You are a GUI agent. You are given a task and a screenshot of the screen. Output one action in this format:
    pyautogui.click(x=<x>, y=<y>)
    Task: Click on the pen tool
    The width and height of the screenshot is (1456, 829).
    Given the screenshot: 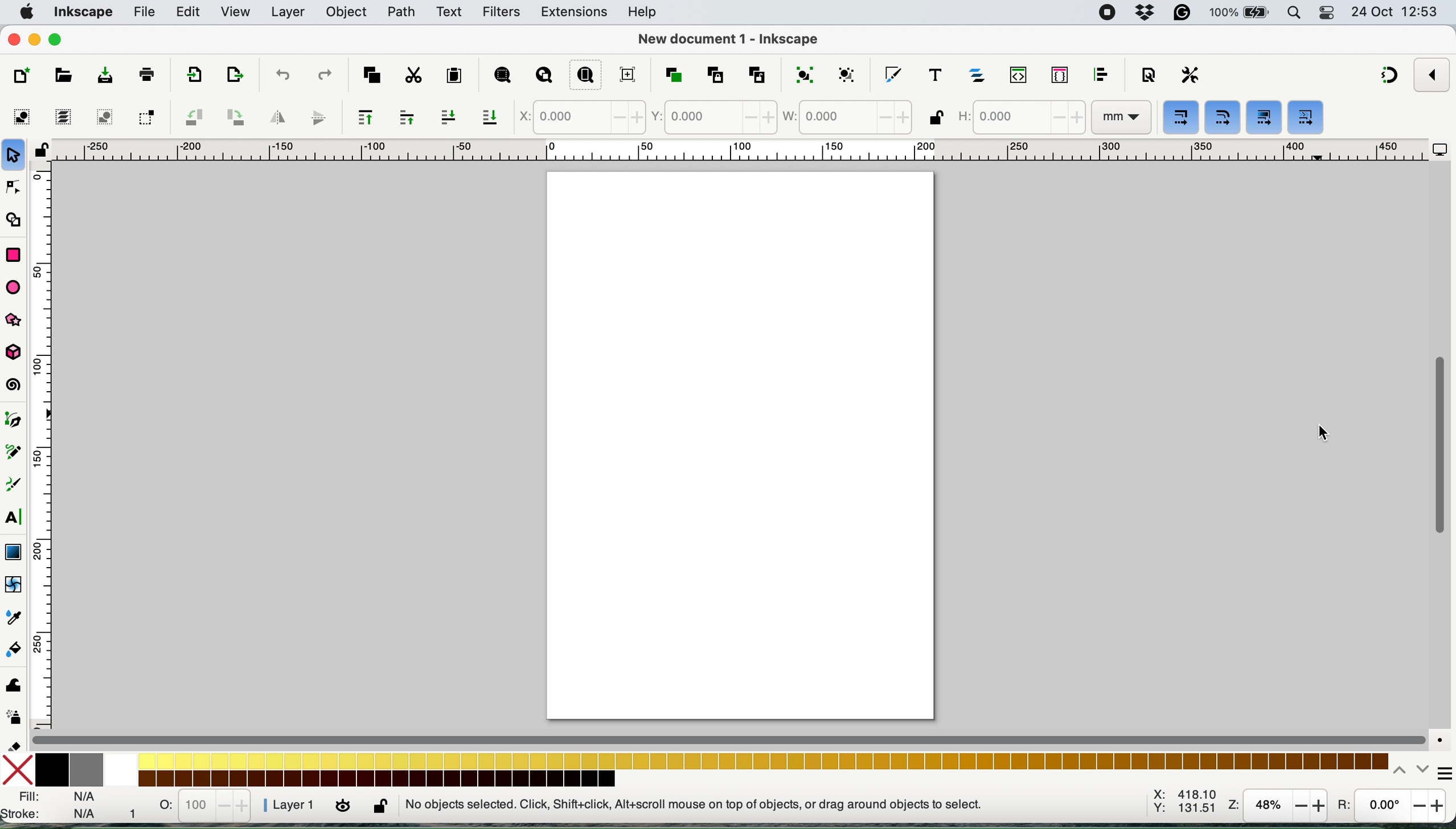 What is the action you would take?
    pyautogui.click(x=18, y=421)
    